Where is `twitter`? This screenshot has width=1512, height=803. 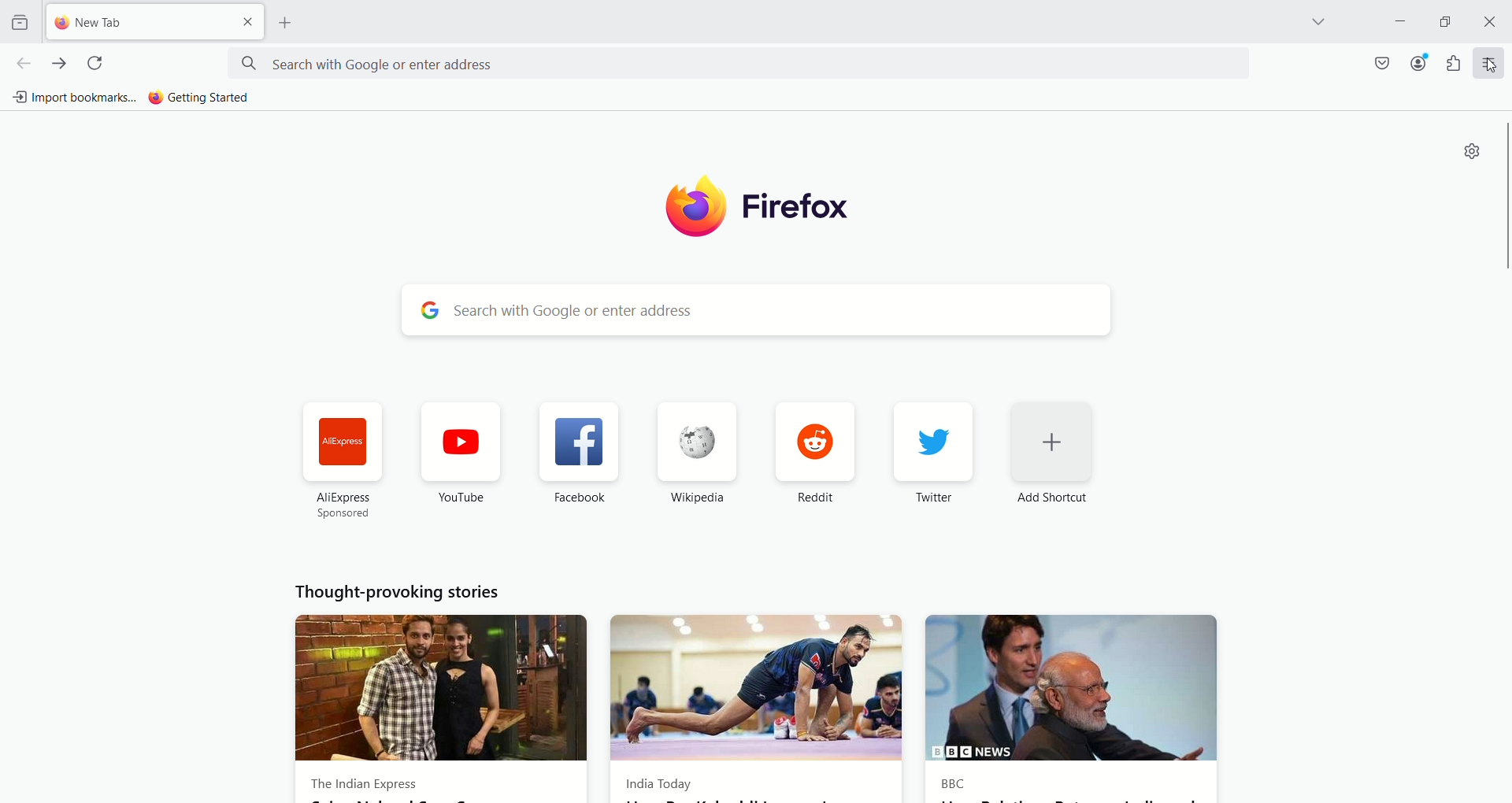 twitter is located at coordinates (937, 454).